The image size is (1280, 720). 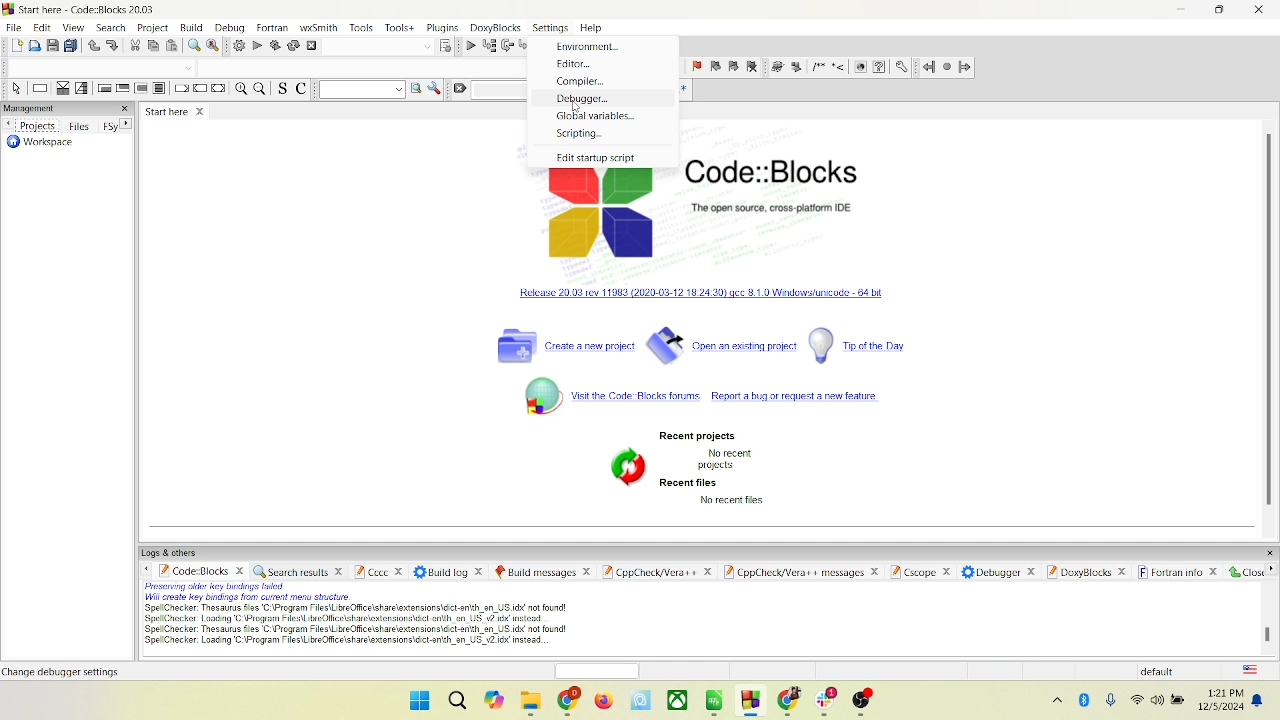 What do you see at coordinates (451, 572) in the screenshot?
I see `build log` at bounding box center [451, 572].